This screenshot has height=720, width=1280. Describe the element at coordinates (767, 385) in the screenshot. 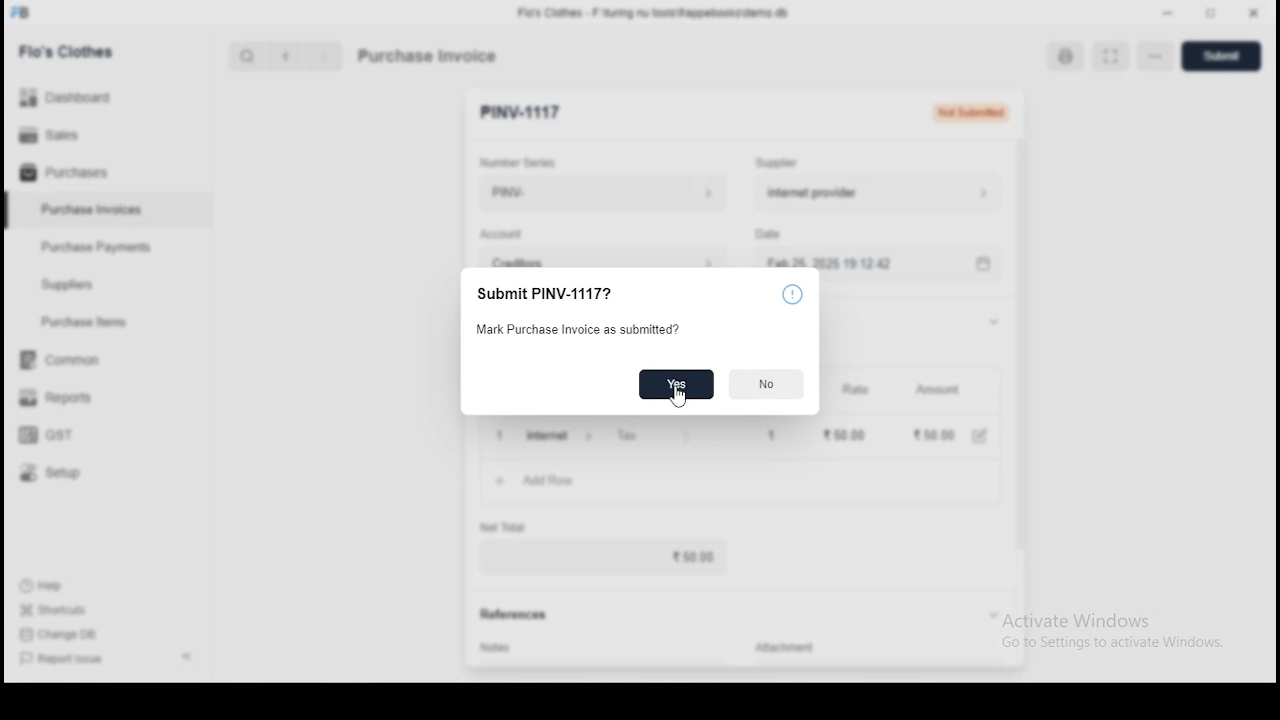

I see `no` at that location.